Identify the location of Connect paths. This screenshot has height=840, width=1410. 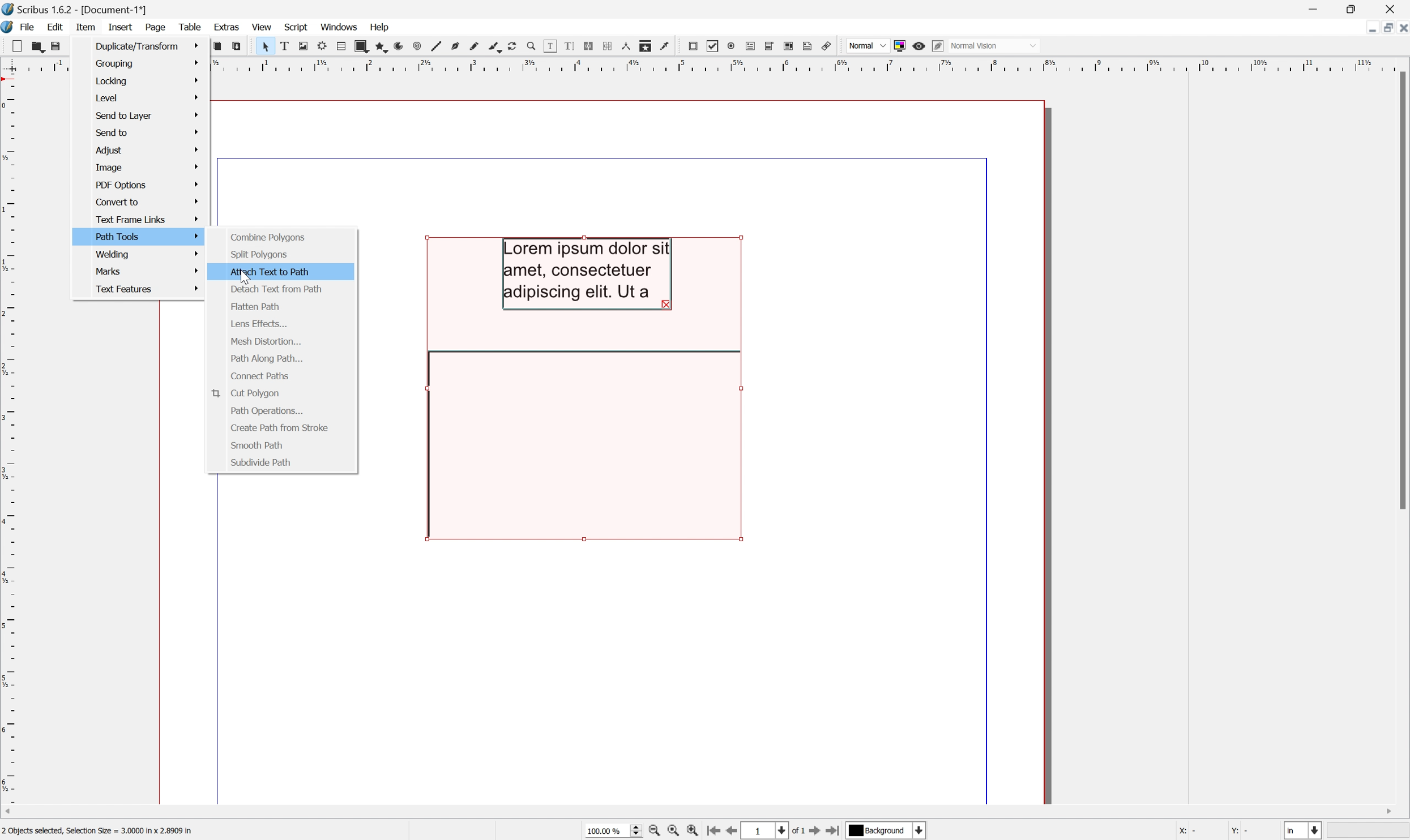
(260, 376).